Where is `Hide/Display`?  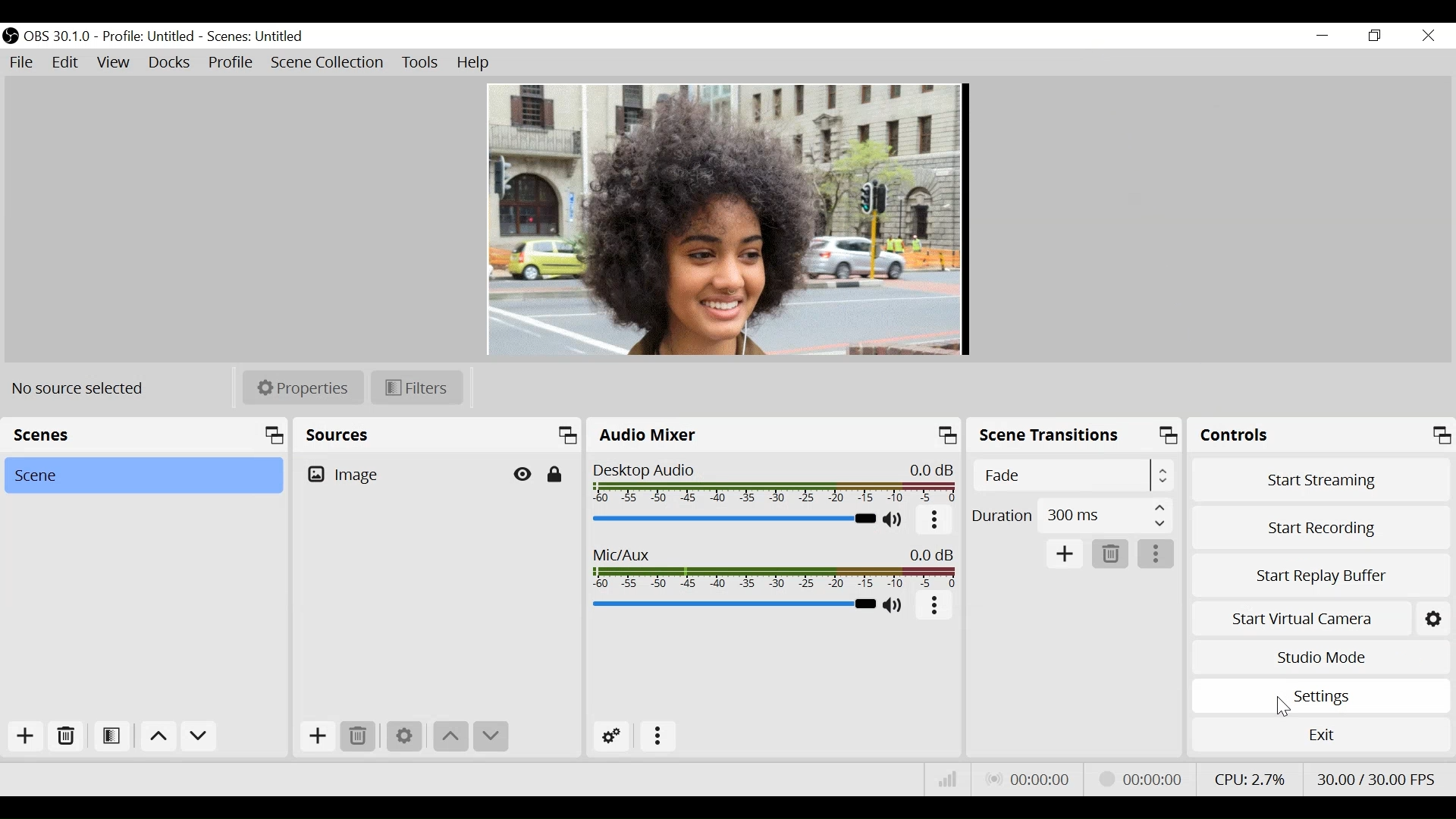
Hide/Display is located at coordinates (522, 474).